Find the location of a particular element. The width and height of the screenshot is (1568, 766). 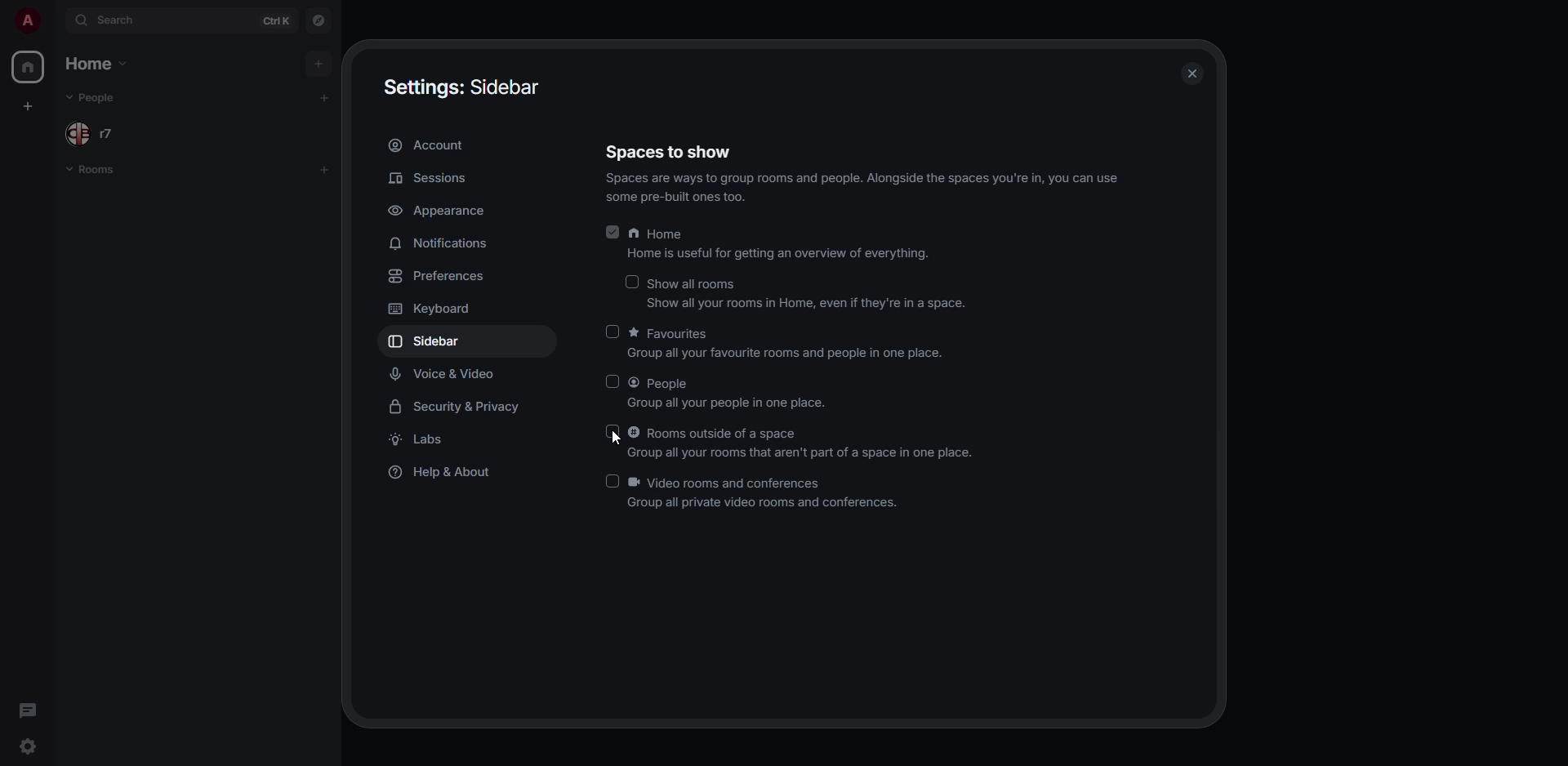

quick settings is located at coordinates (28, 745).